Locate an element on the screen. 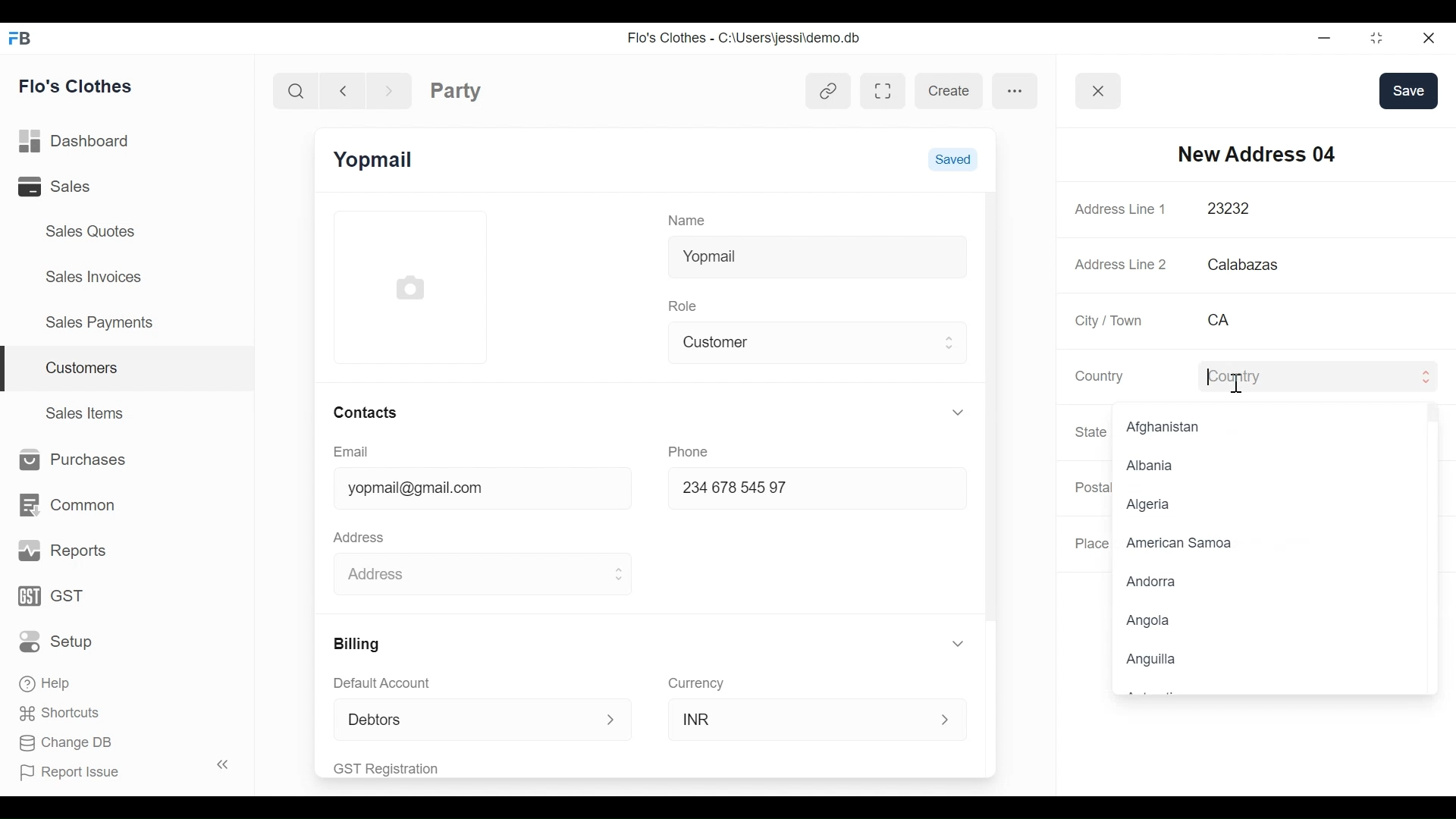 This screenshot has width=1456, height=819. Name is located at coordinates (690, 219).